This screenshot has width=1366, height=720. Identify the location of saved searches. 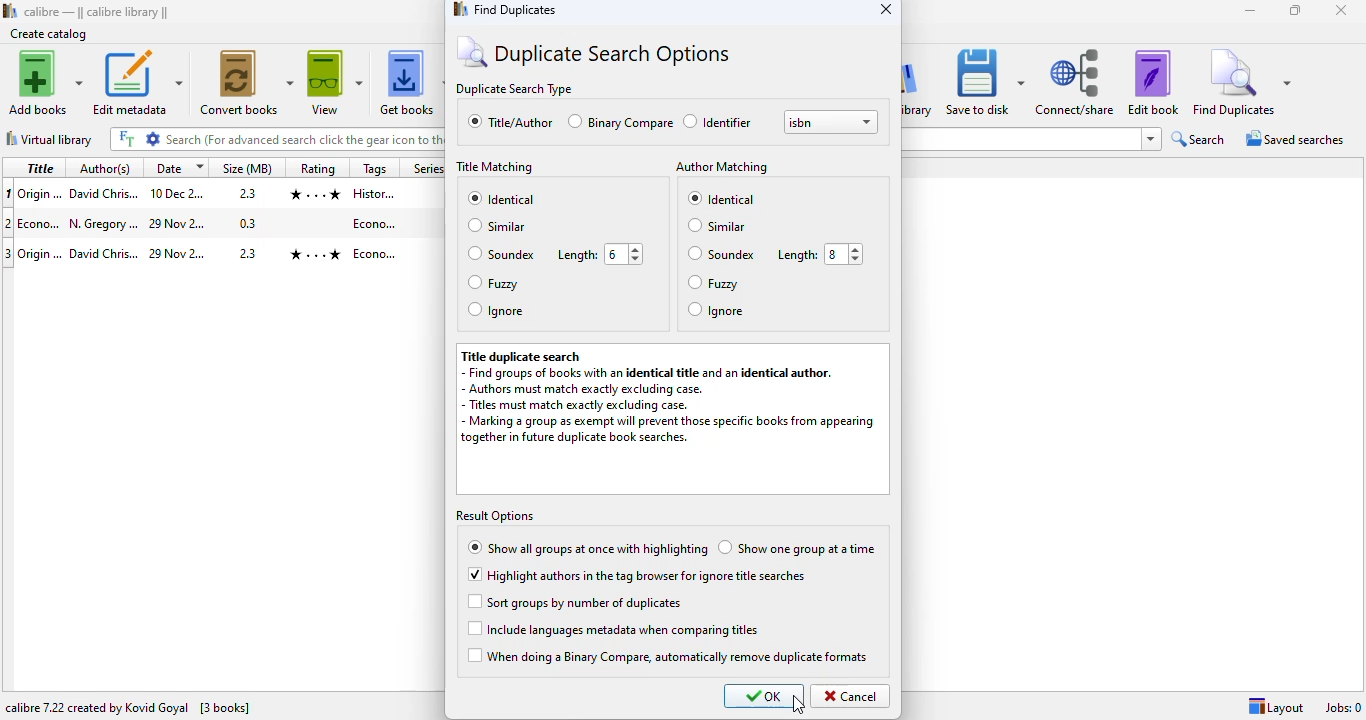
(1296, 137).